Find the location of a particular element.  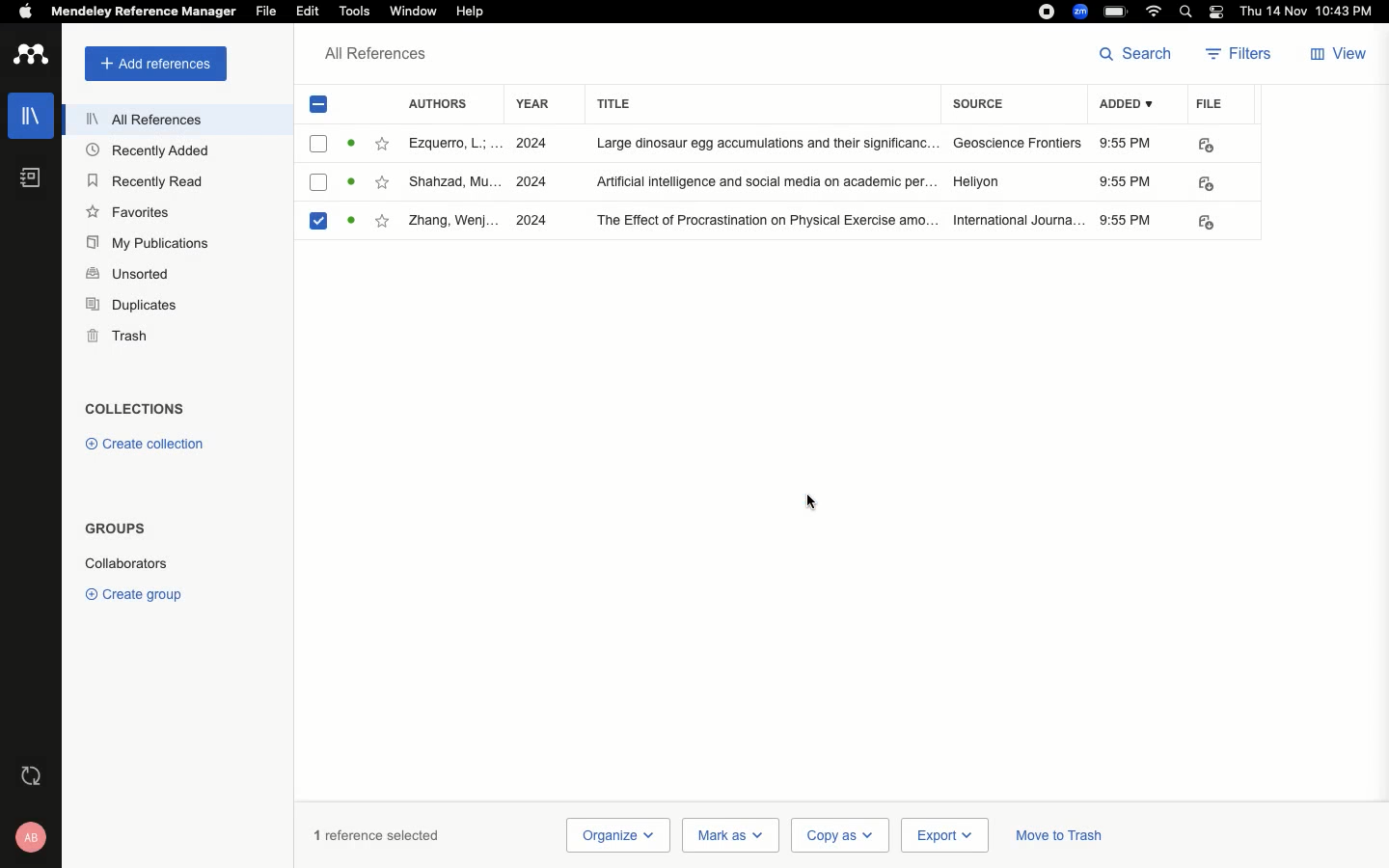

Favorites is located at coordinates (380, 143).